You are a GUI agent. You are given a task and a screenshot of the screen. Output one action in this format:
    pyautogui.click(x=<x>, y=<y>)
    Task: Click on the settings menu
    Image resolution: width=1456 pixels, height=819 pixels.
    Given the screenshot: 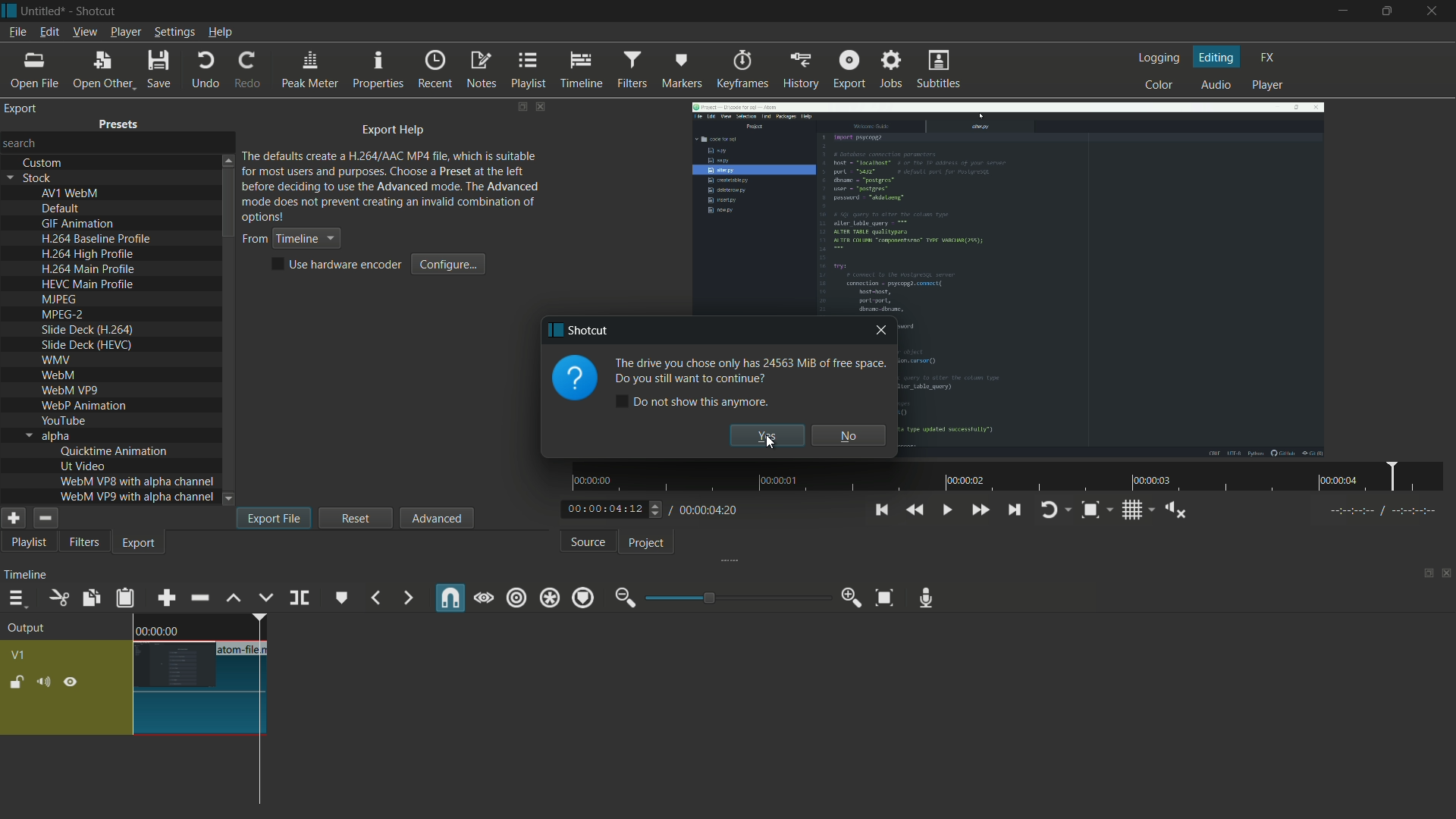 What is the action you would take?
    pyautogui.click(x=174, y=32)
    